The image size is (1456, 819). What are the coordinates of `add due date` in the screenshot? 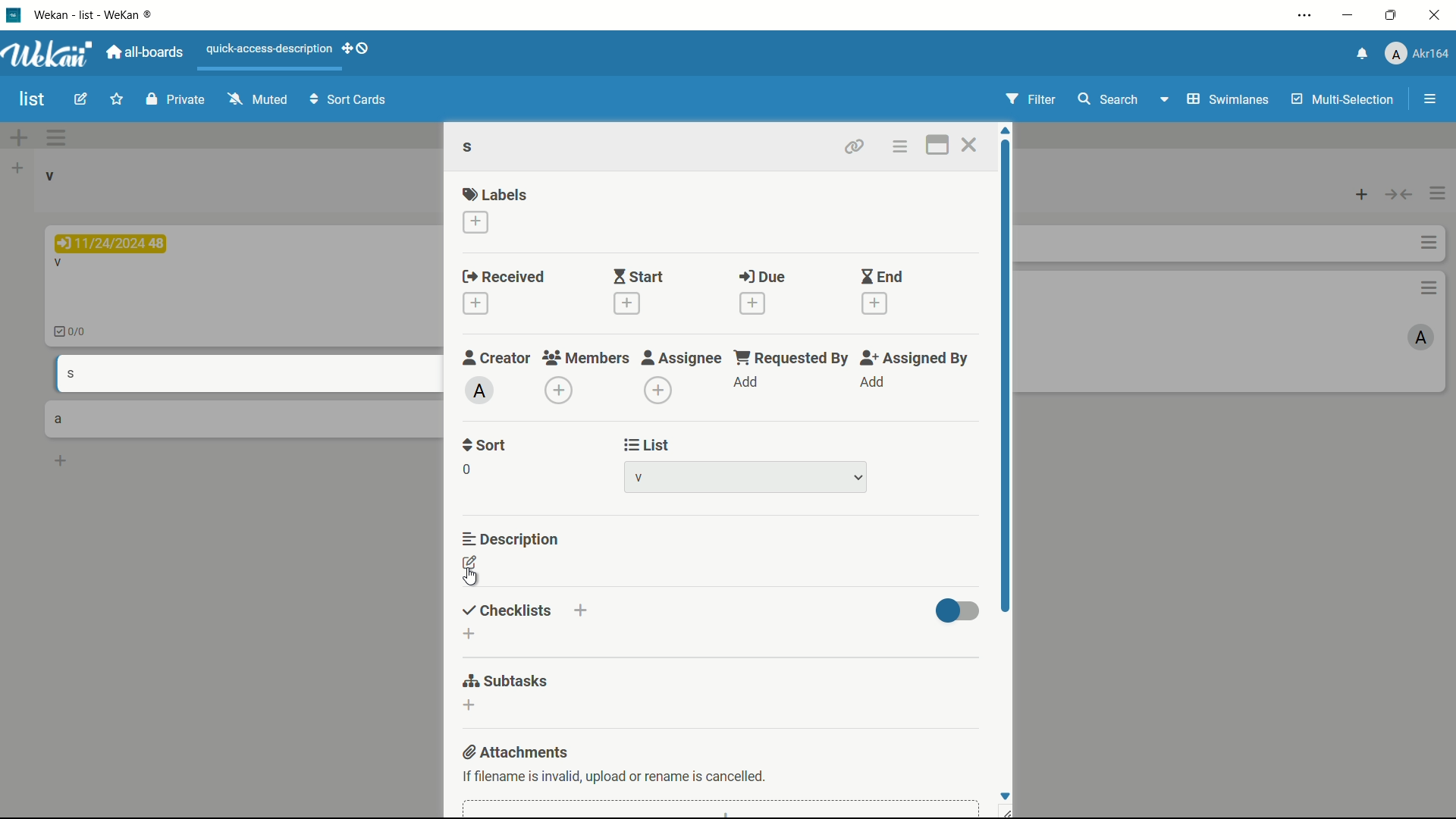 It's located at (753, 303).